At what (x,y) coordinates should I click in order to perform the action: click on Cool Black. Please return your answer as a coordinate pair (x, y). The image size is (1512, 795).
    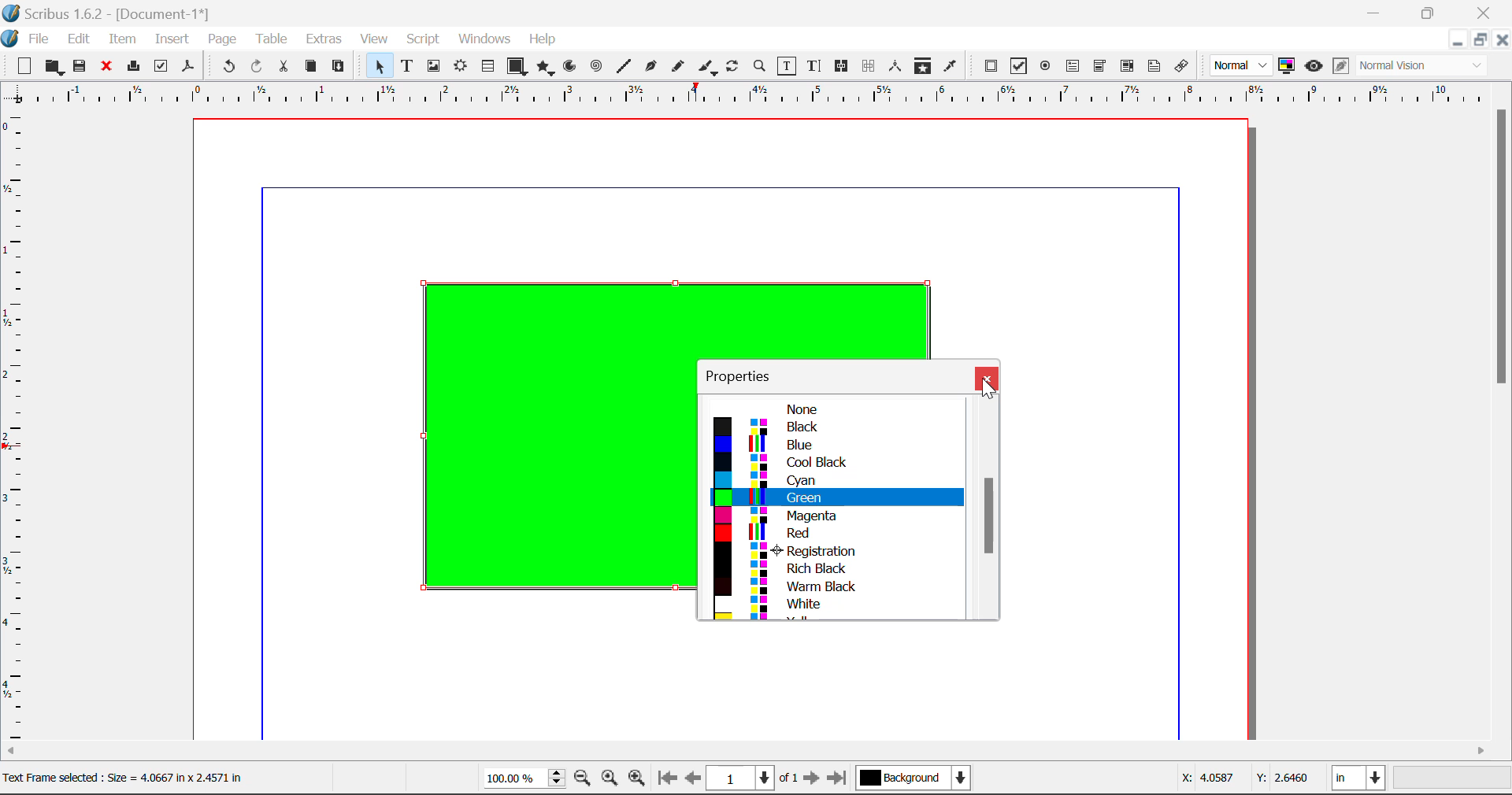
    Looking at the image, I should click on (836, 463).